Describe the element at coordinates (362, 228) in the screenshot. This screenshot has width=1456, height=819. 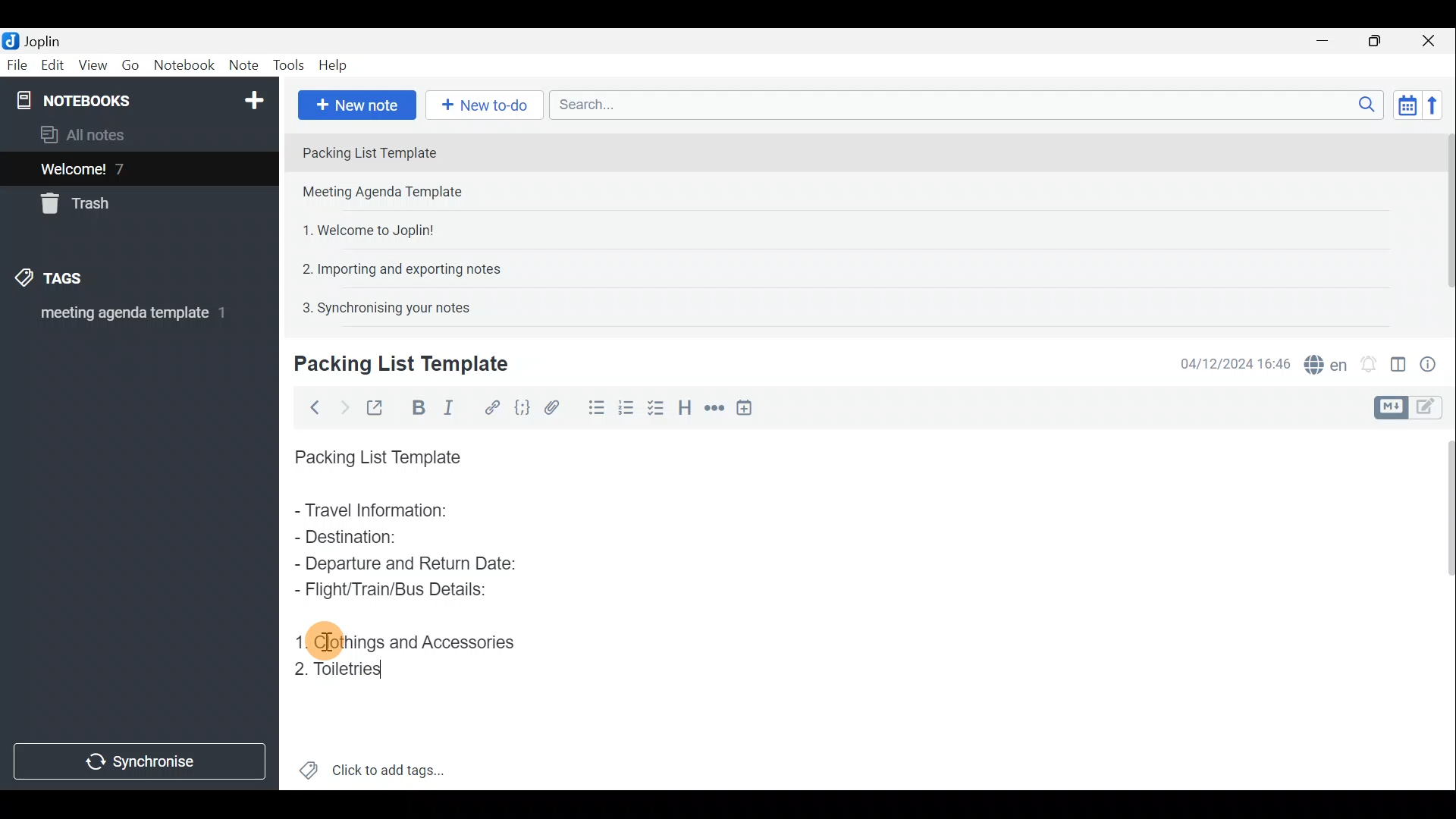
I see `Note 3` at that location.